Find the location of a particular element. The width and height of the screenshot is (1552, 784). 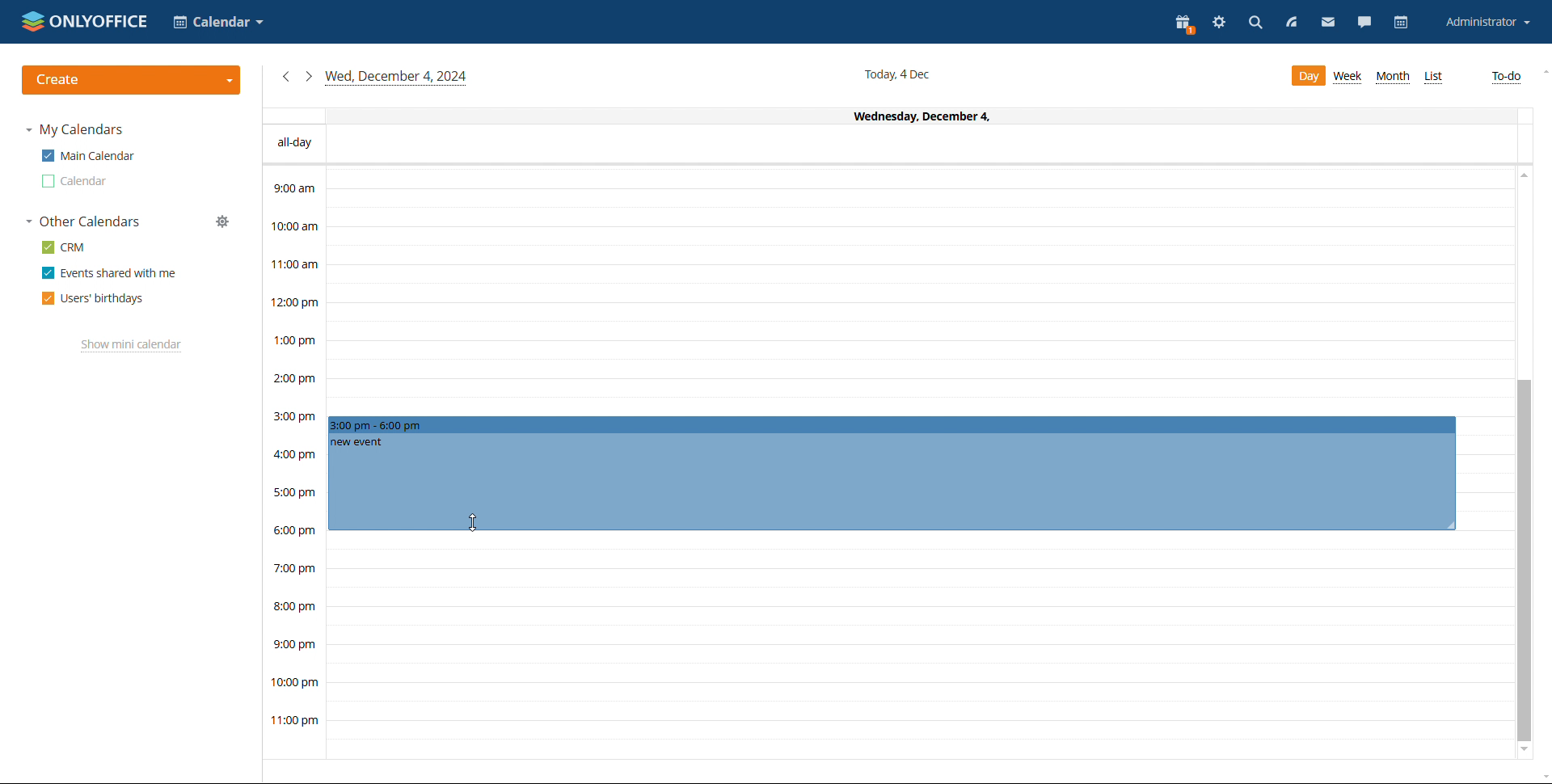

events shared with me is located at coordinates (108, 273).